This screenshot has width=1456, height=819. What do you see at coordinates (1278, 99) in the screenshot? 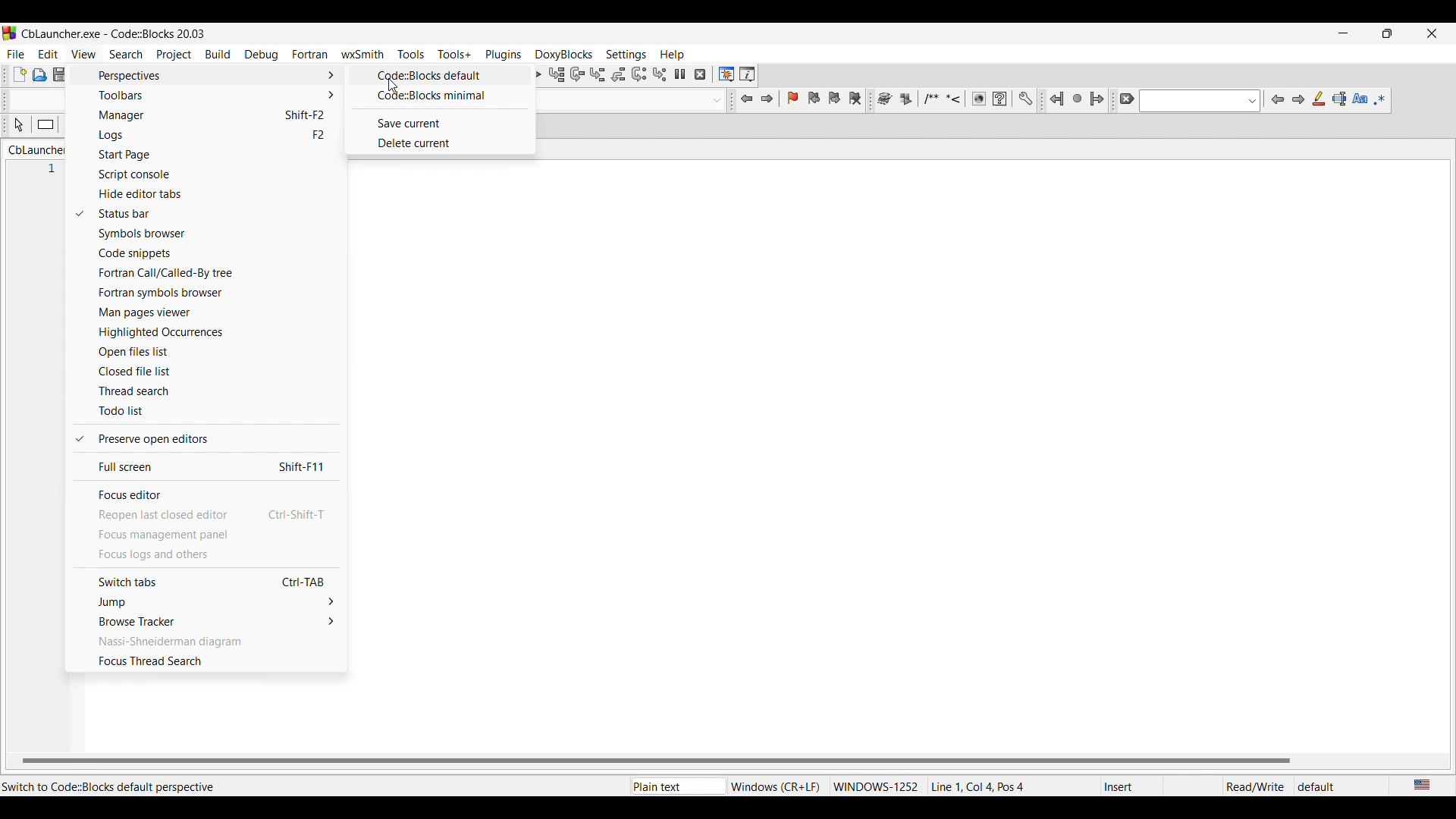
I see `Previous` at bounding box center [1278, 99].